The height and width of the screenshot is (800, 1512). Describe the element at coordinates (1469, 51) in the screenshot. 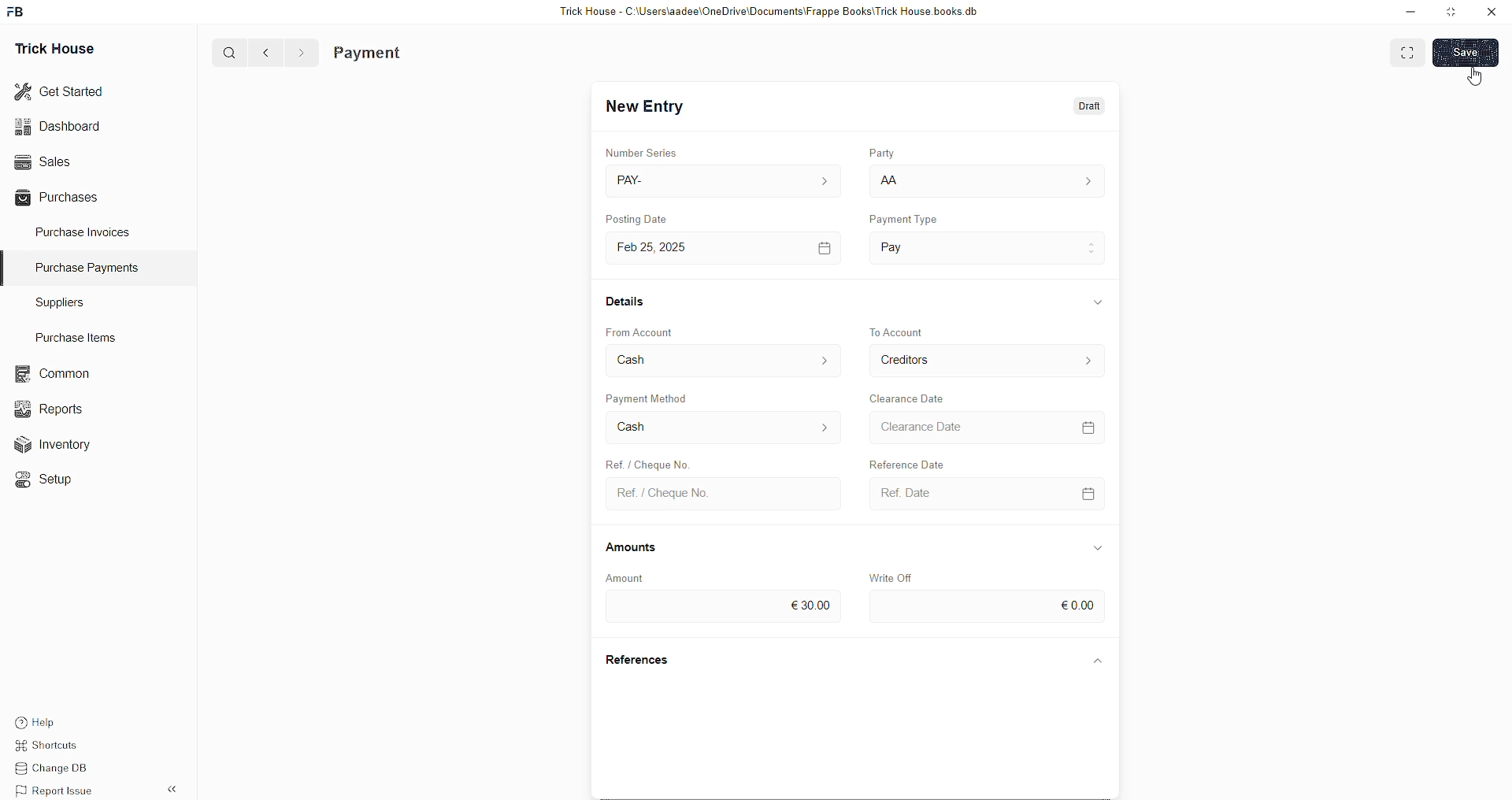

I see `SAVE` at that location.